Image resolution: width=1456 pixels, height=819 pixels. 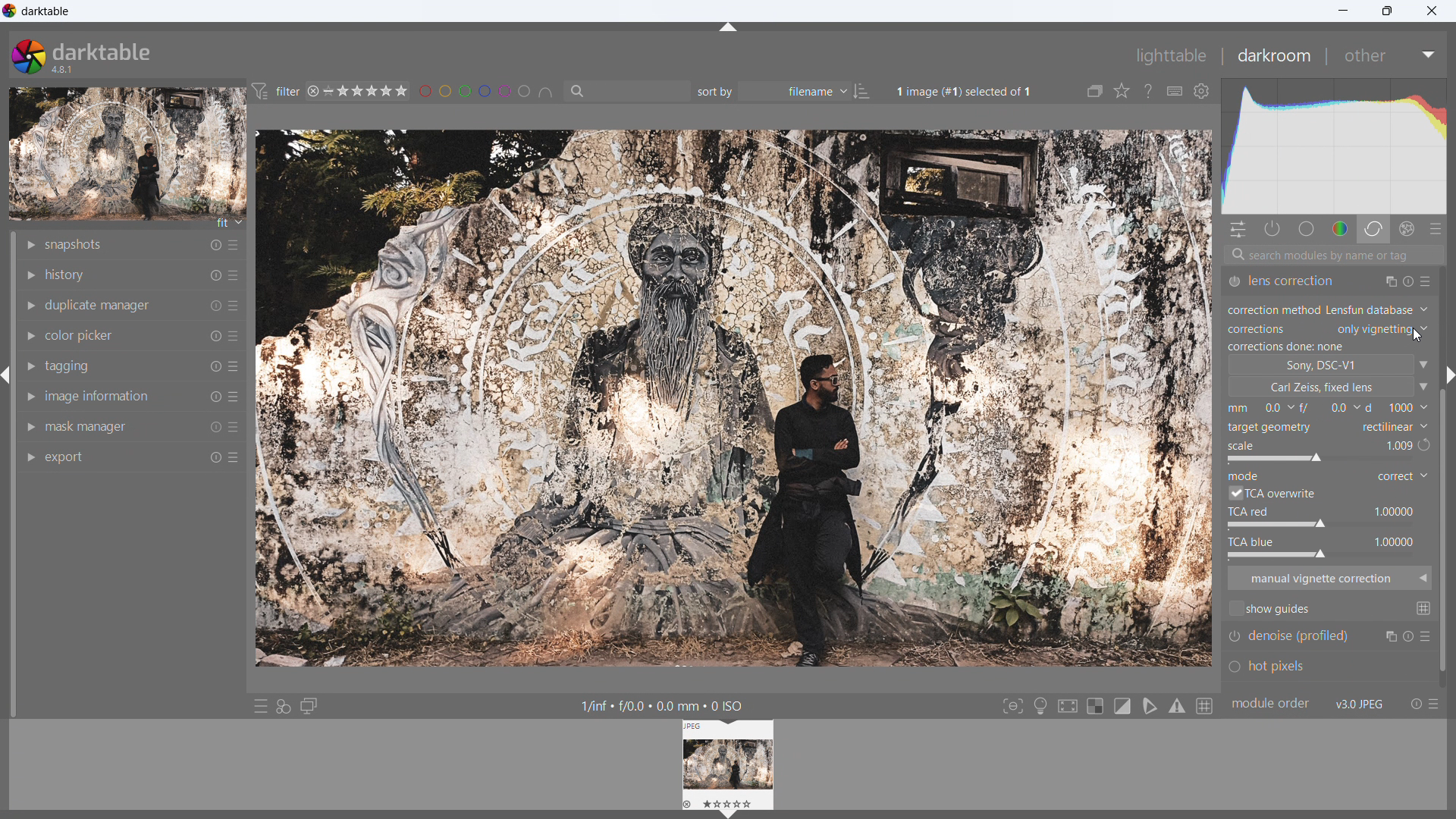 What do you see at coordinates (214, 397) in the screenshot?
I see `reset` at bounding box center [214, 397].